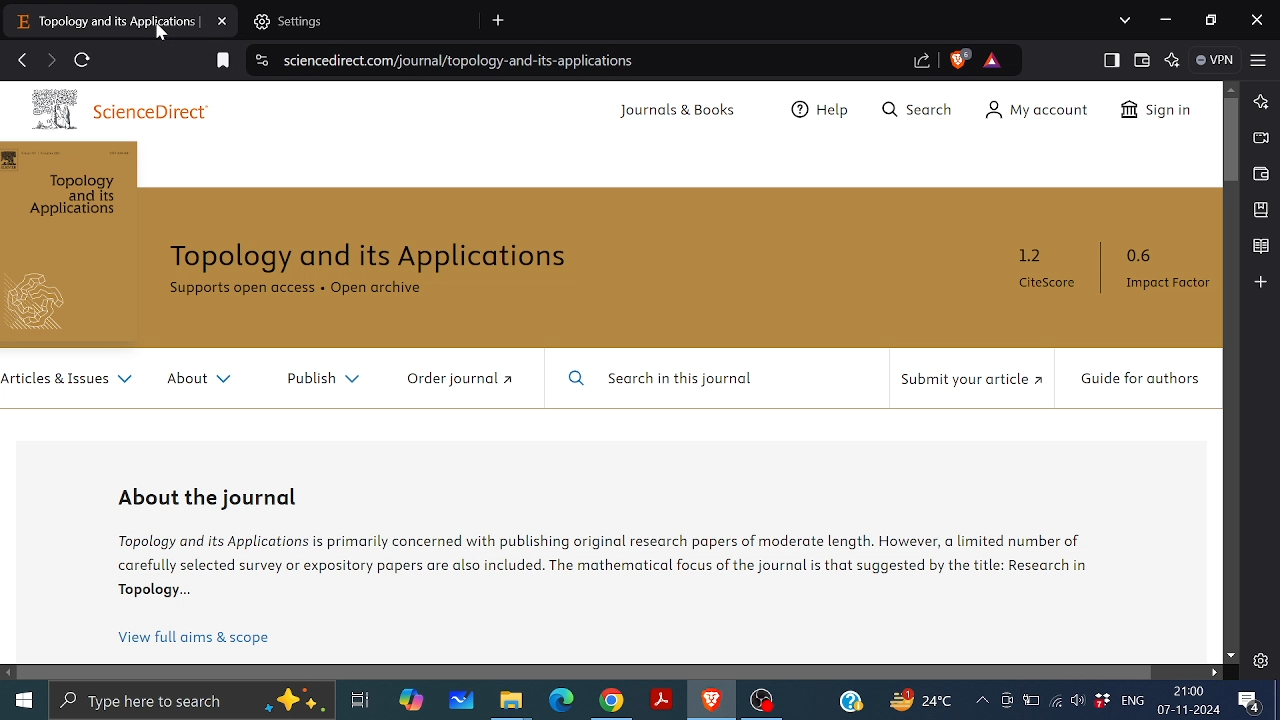 This screenshot has width=1280, height=720. I want to click on OBS recording, so click(762, 701).